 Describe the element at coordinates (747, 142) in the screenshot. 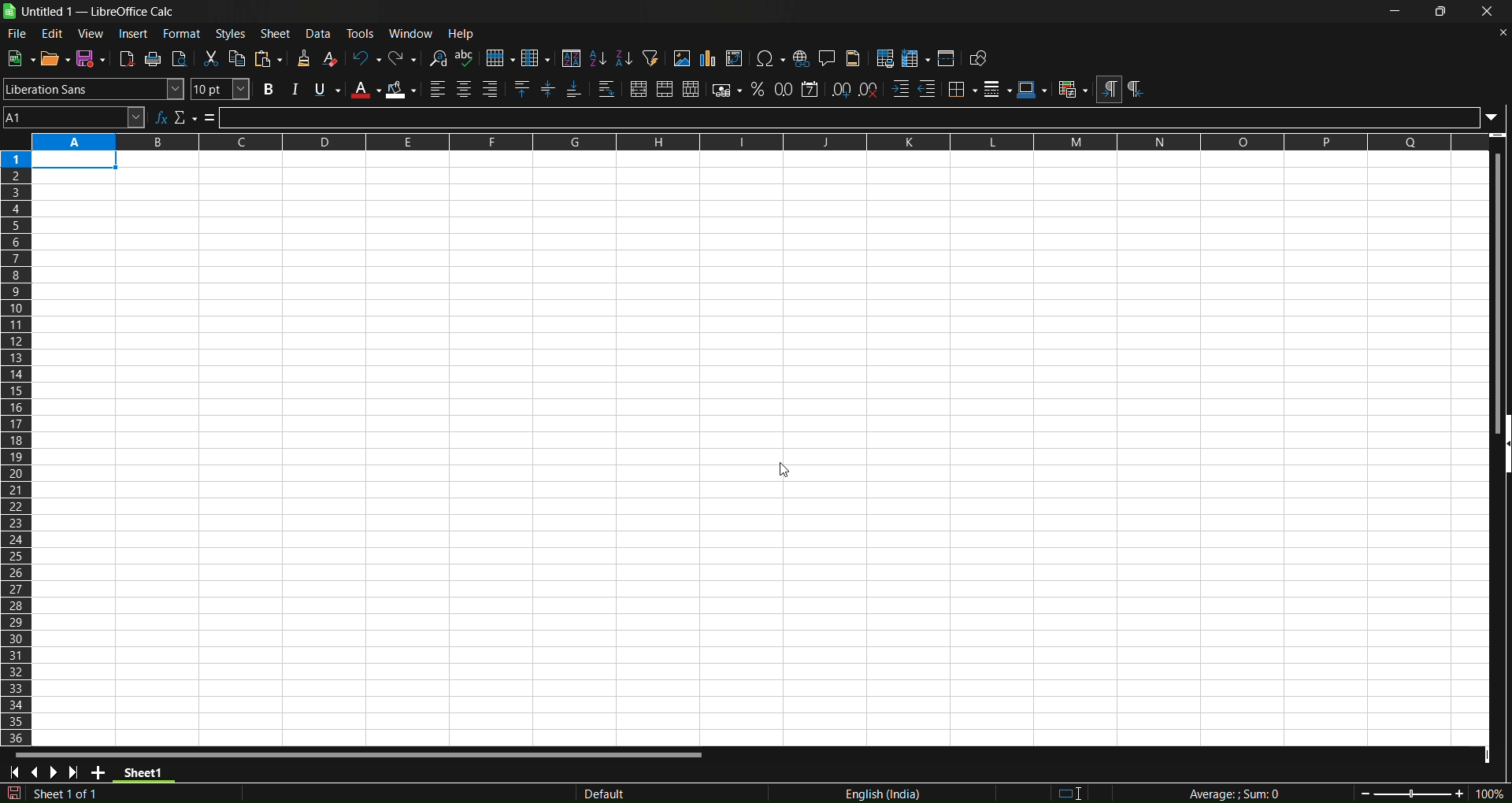

I see `rows` at that location.